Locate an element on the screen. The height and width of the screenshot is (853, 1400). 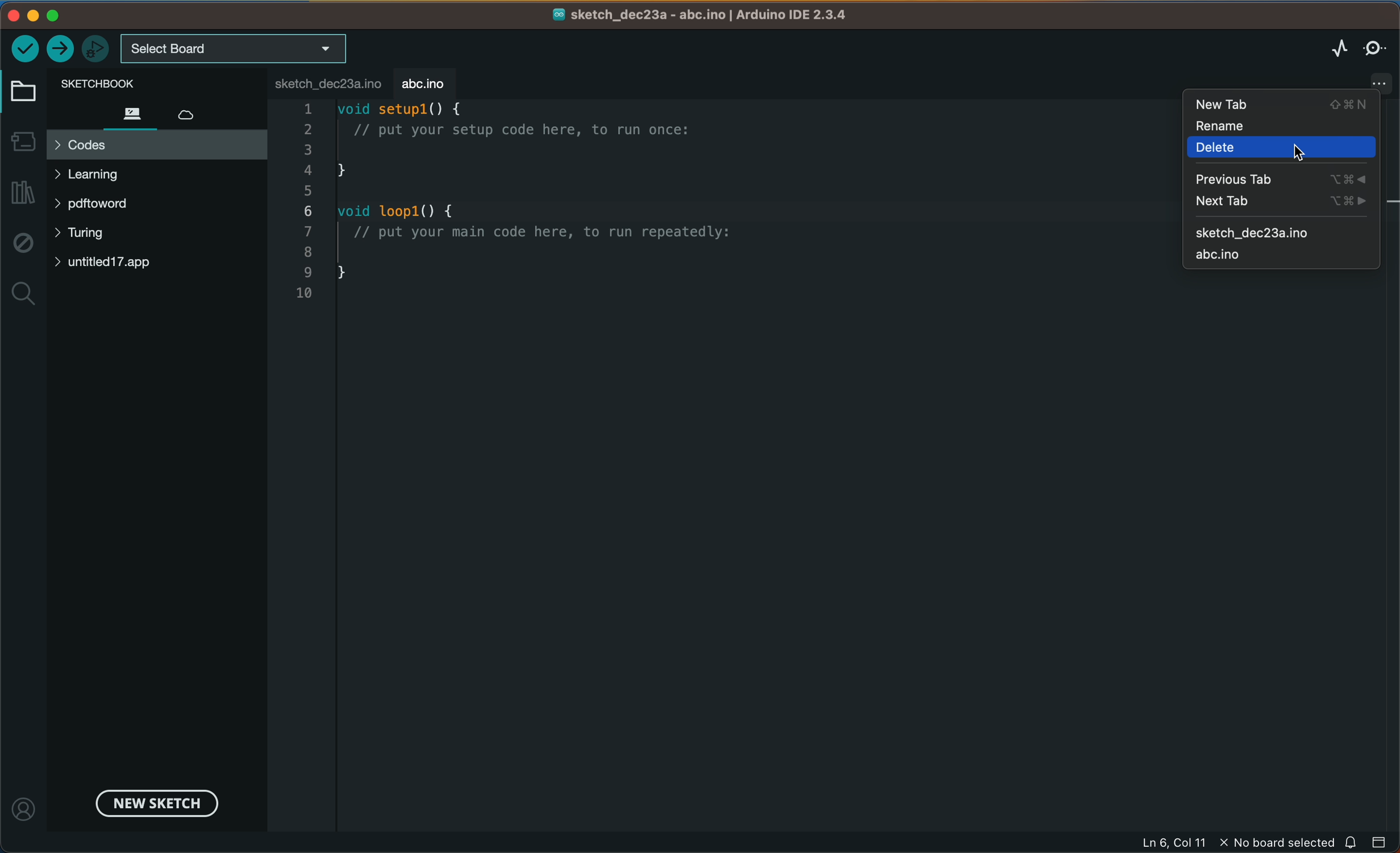
search is located at coordinates (21, 290).